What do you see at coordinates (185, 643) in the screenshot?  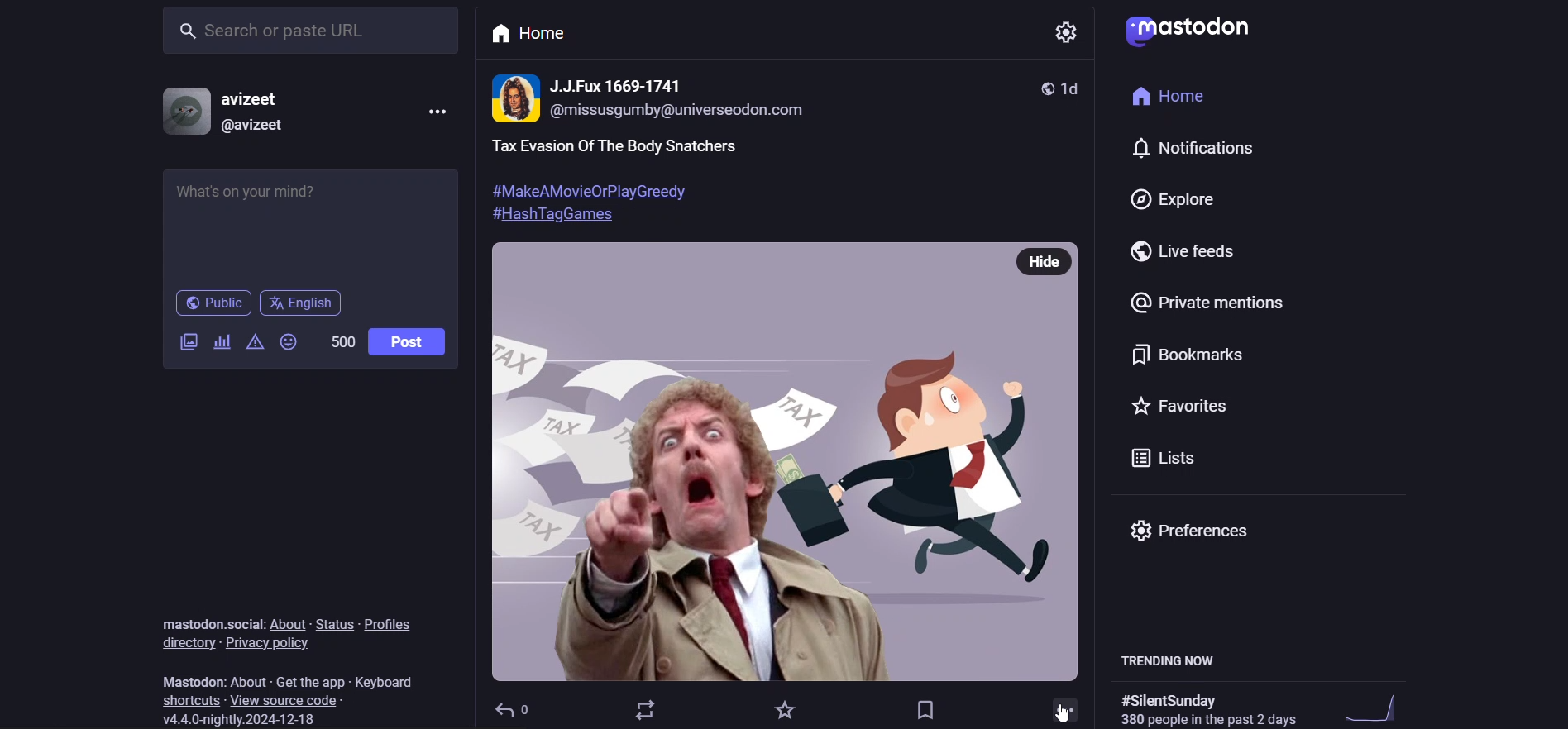 I see `directory` at bounding box center [185, 643].